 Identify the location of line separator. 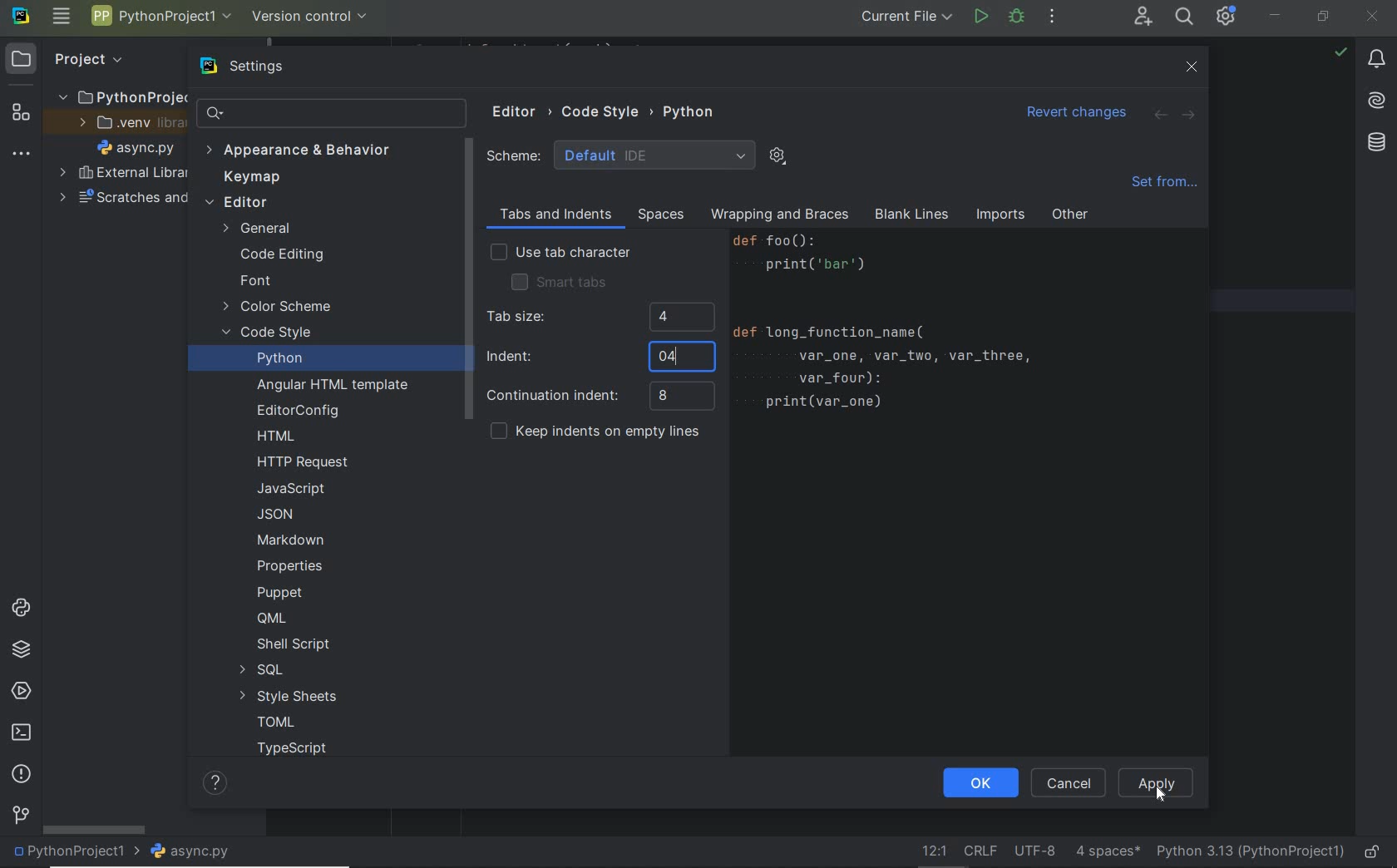
(983, 849).